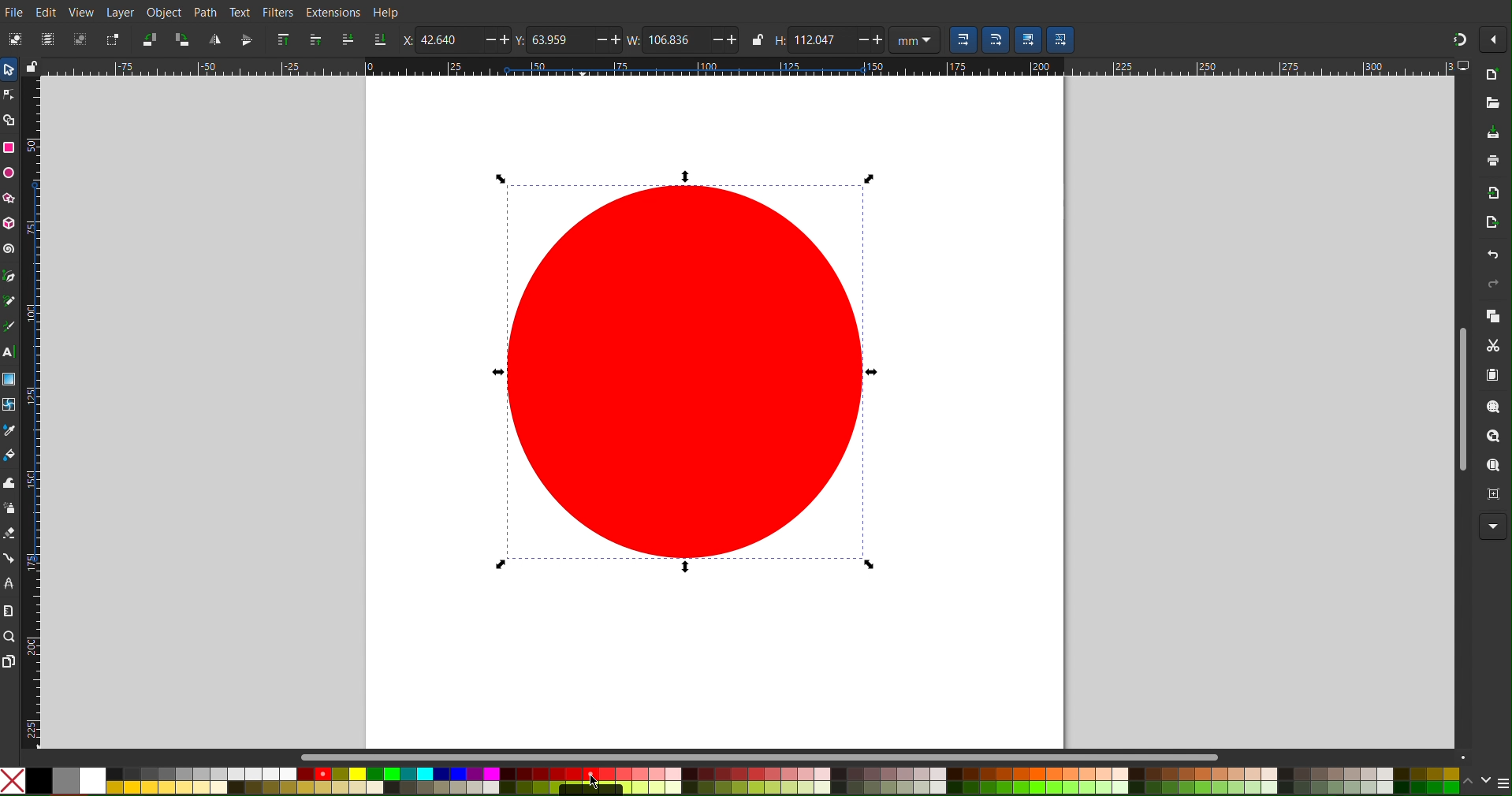 Image resolution: width=1512 pixels, height=796 pixels. I want to click on Tweak Tool, so click(9, 483).